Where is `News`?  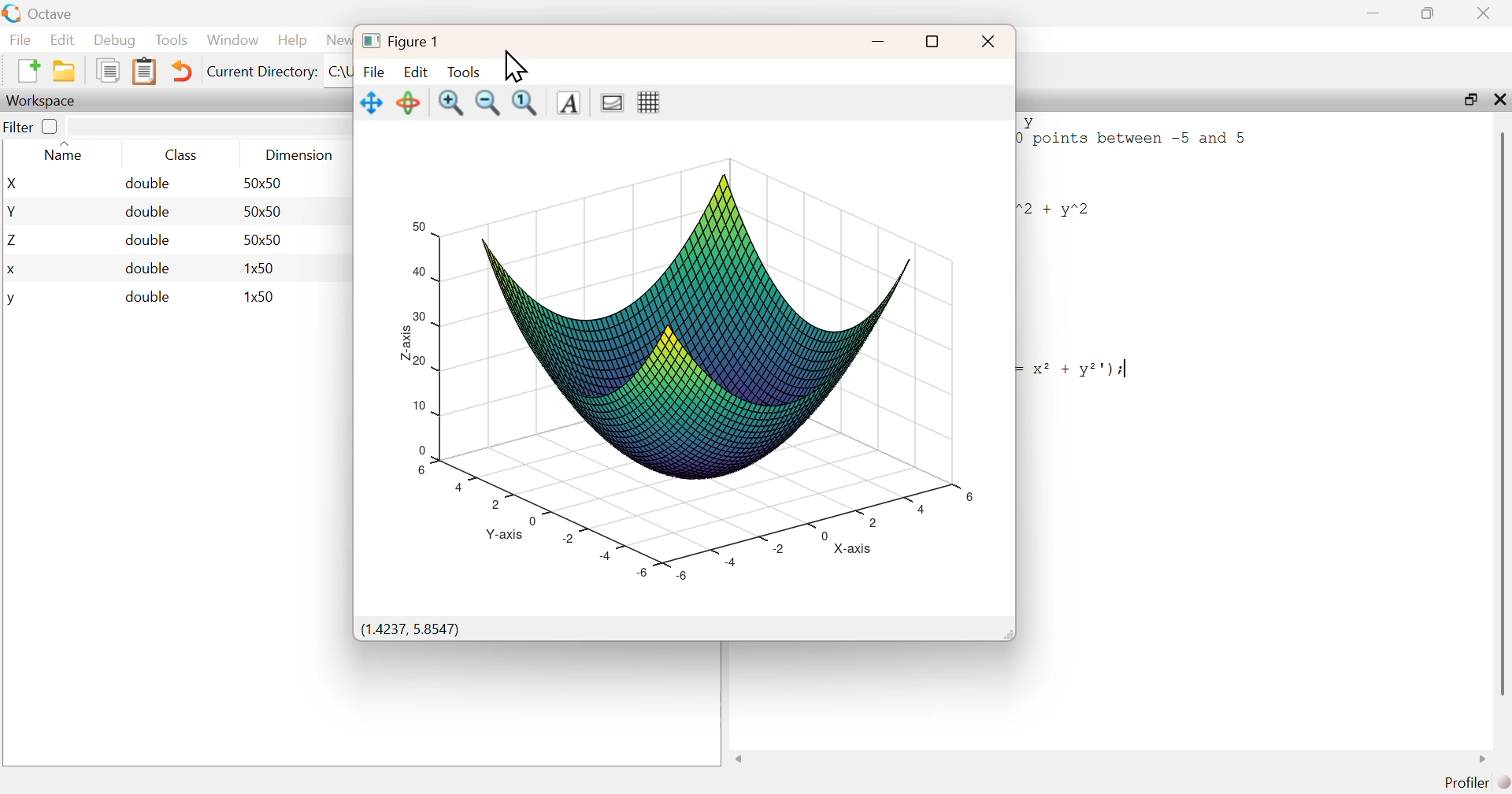
News is located at coordinates (339, 40).